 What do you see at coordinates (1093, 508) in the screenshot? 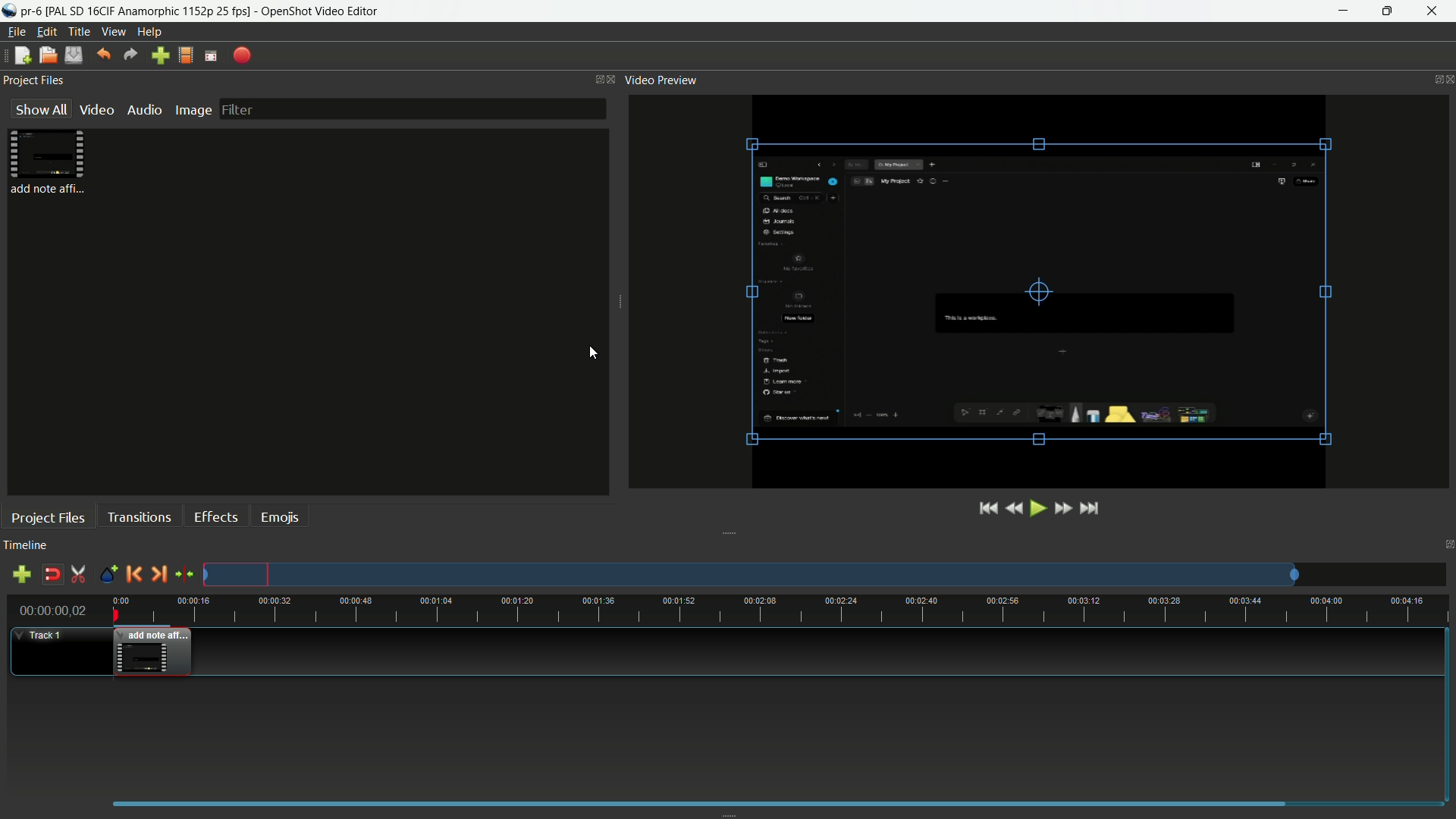
I see `jump to end` at bounding box center [1093, 508].